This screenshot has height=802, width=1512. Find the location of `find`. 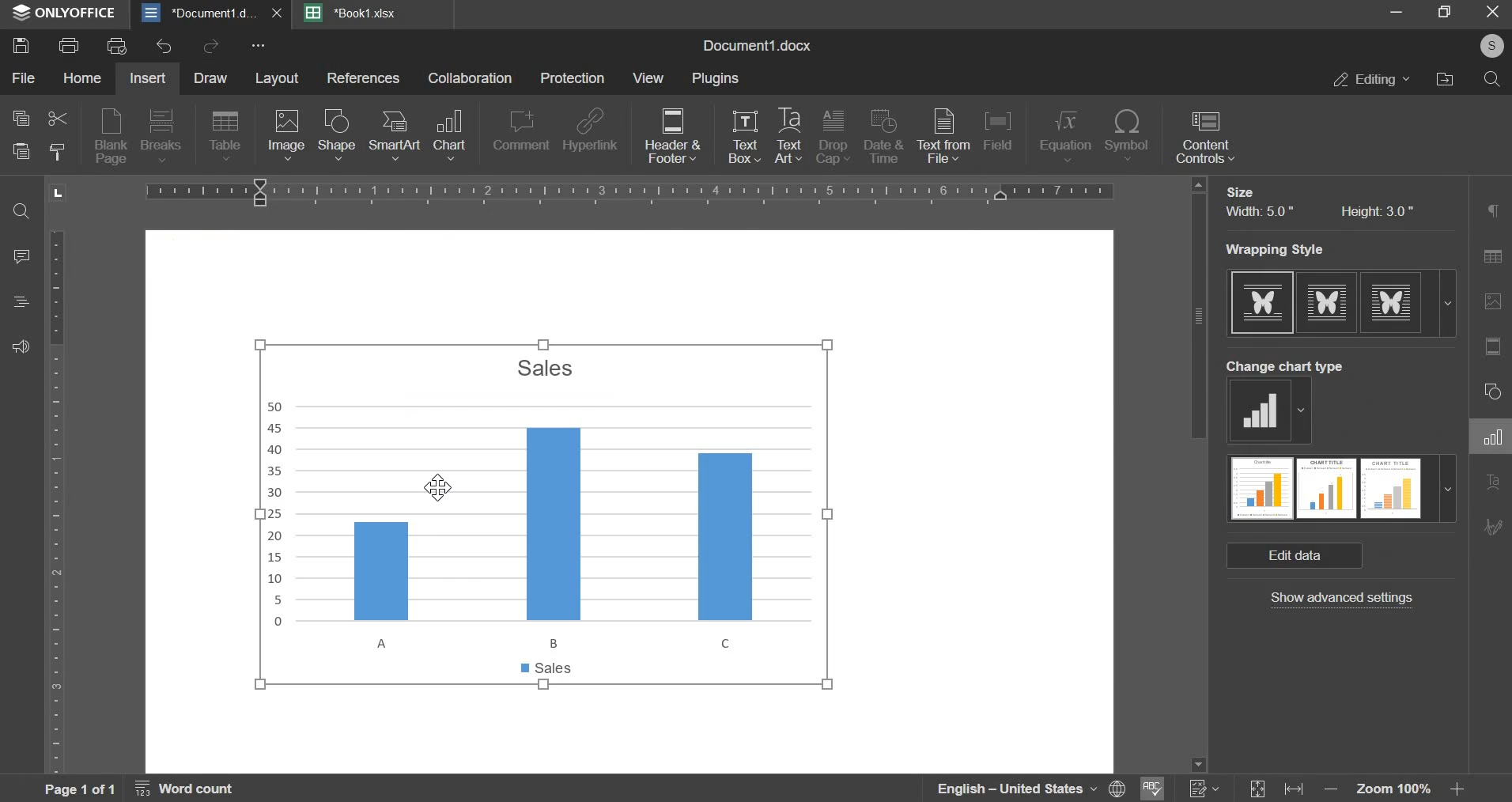

find is located at coordinates (21, 212).